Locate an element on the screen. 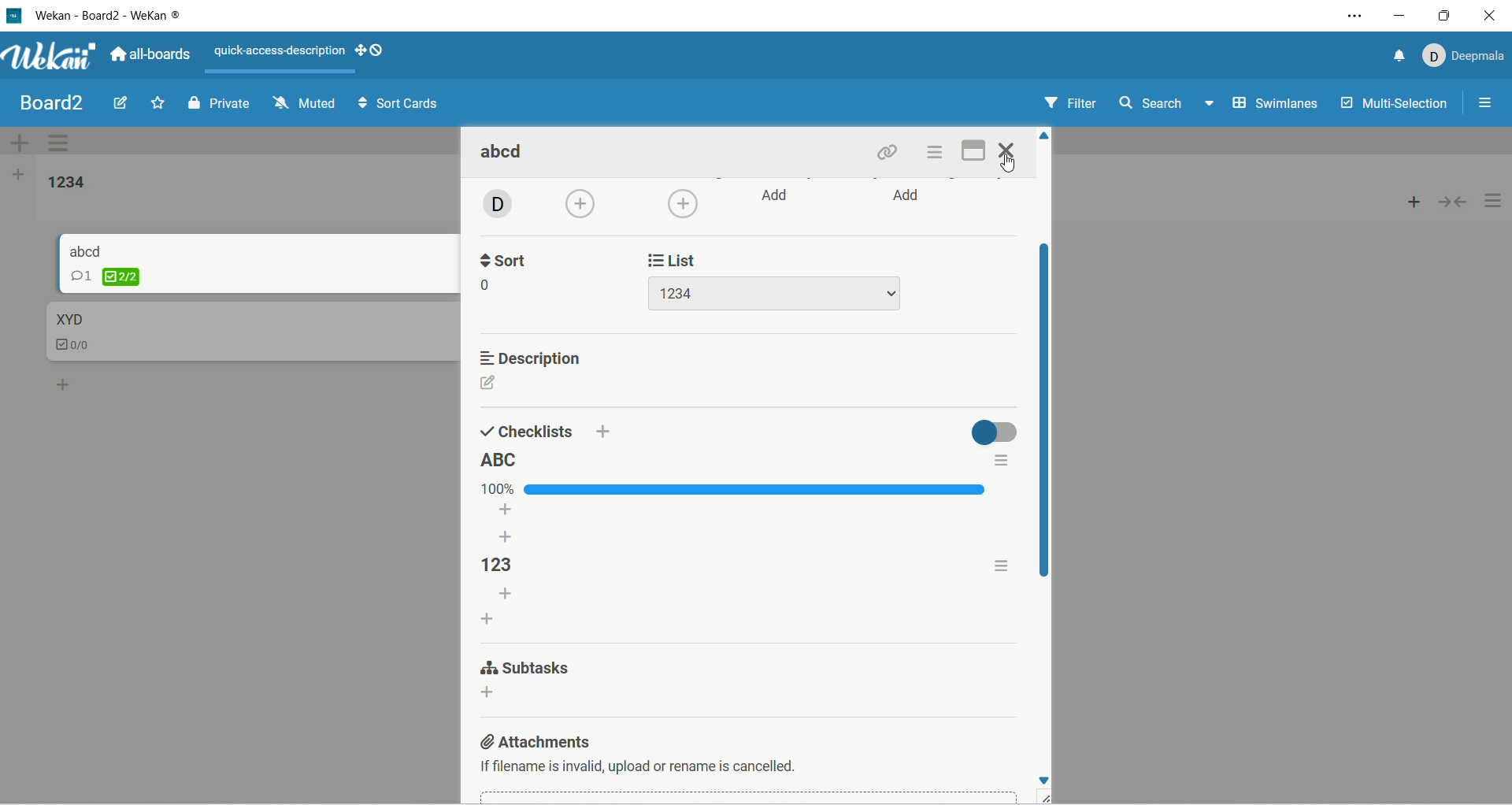 The width and height of the screenshot is (1512, 805). vertical scroll bar is located at coordinates (1043, 410).